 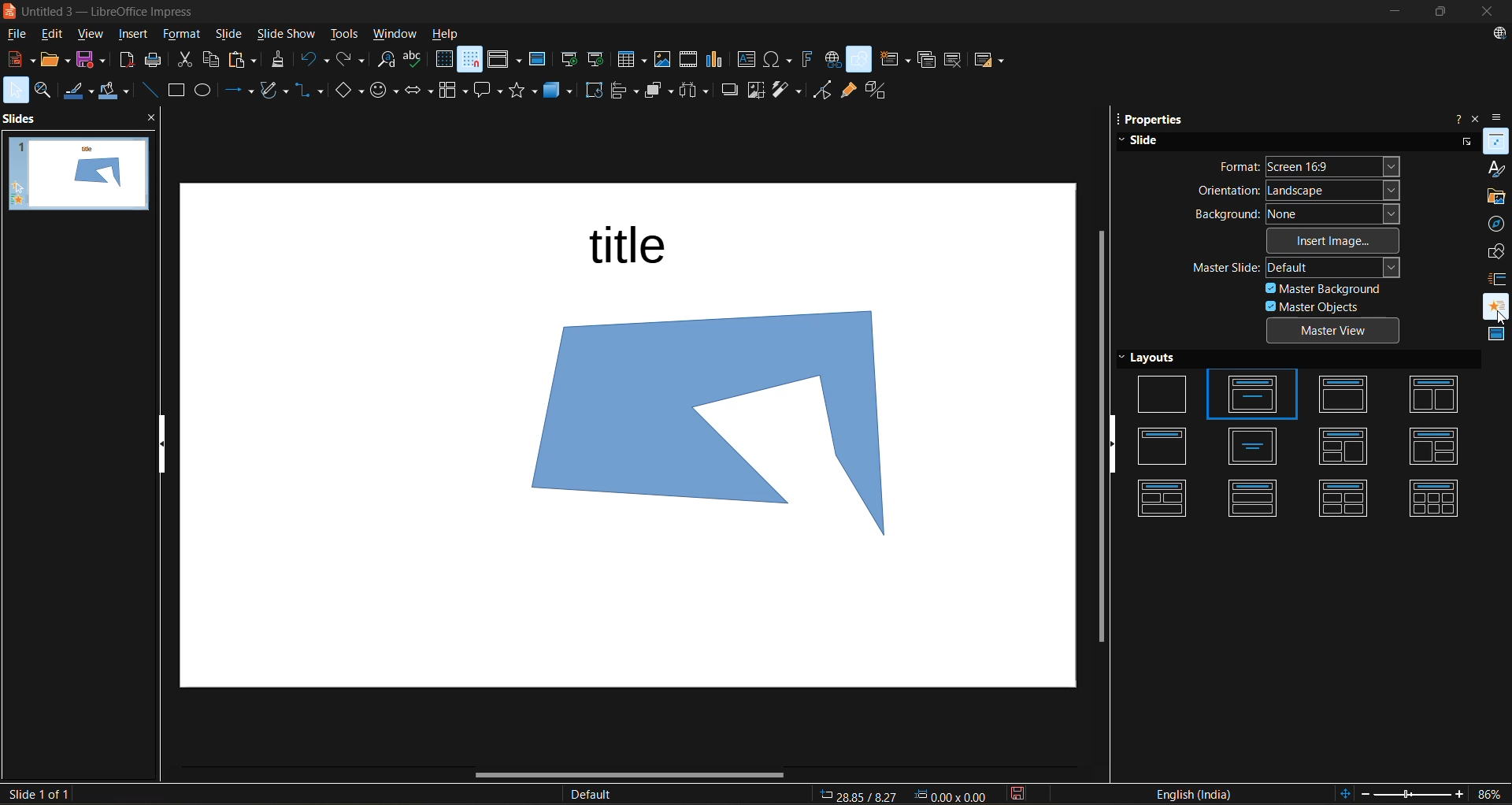 What do you see at coordinates (860, 60) in the screenshot?
I see `show draw functions` at bounding box center [860, 60].